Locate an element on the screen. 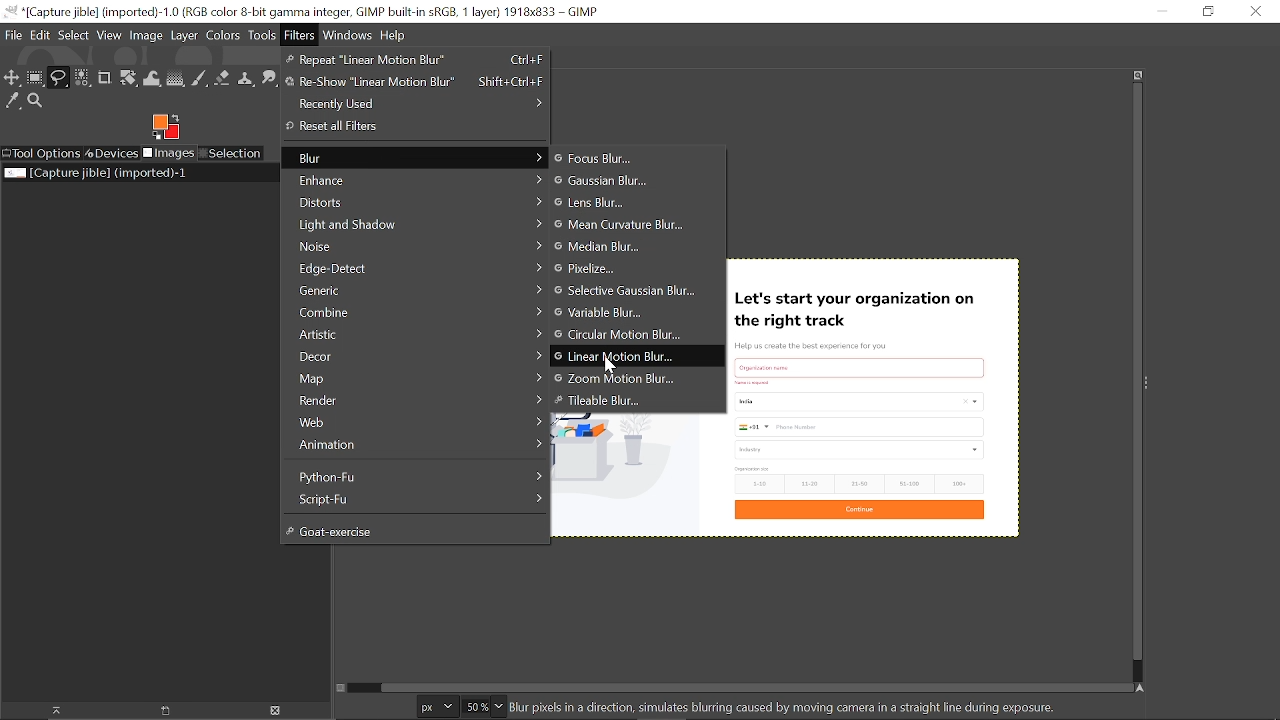 The image size is (1280, 720). restore down is located at coordinates (1207, 11).